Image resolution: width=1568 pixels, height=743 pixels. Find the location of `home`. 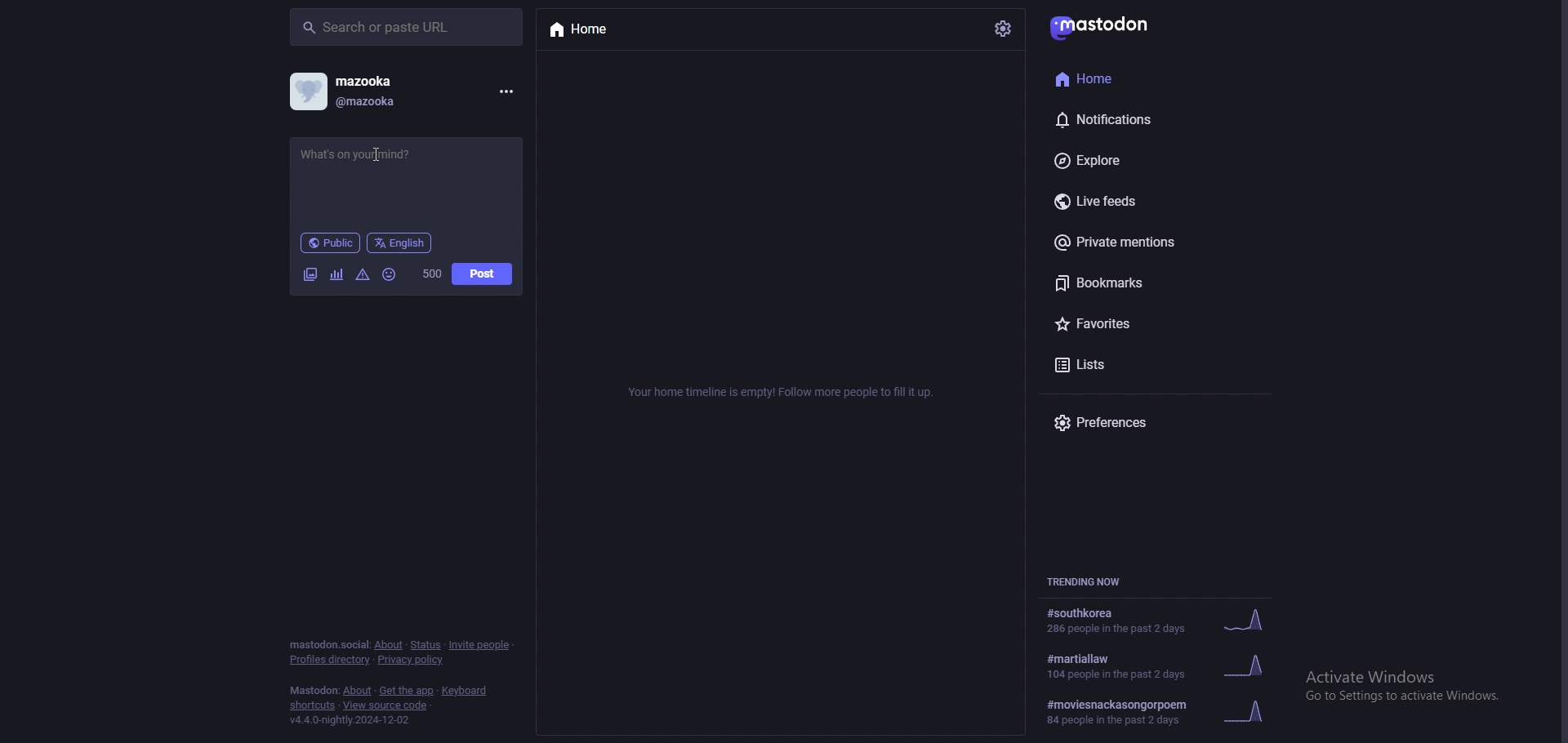

home is located at coordinates (1125, 77).